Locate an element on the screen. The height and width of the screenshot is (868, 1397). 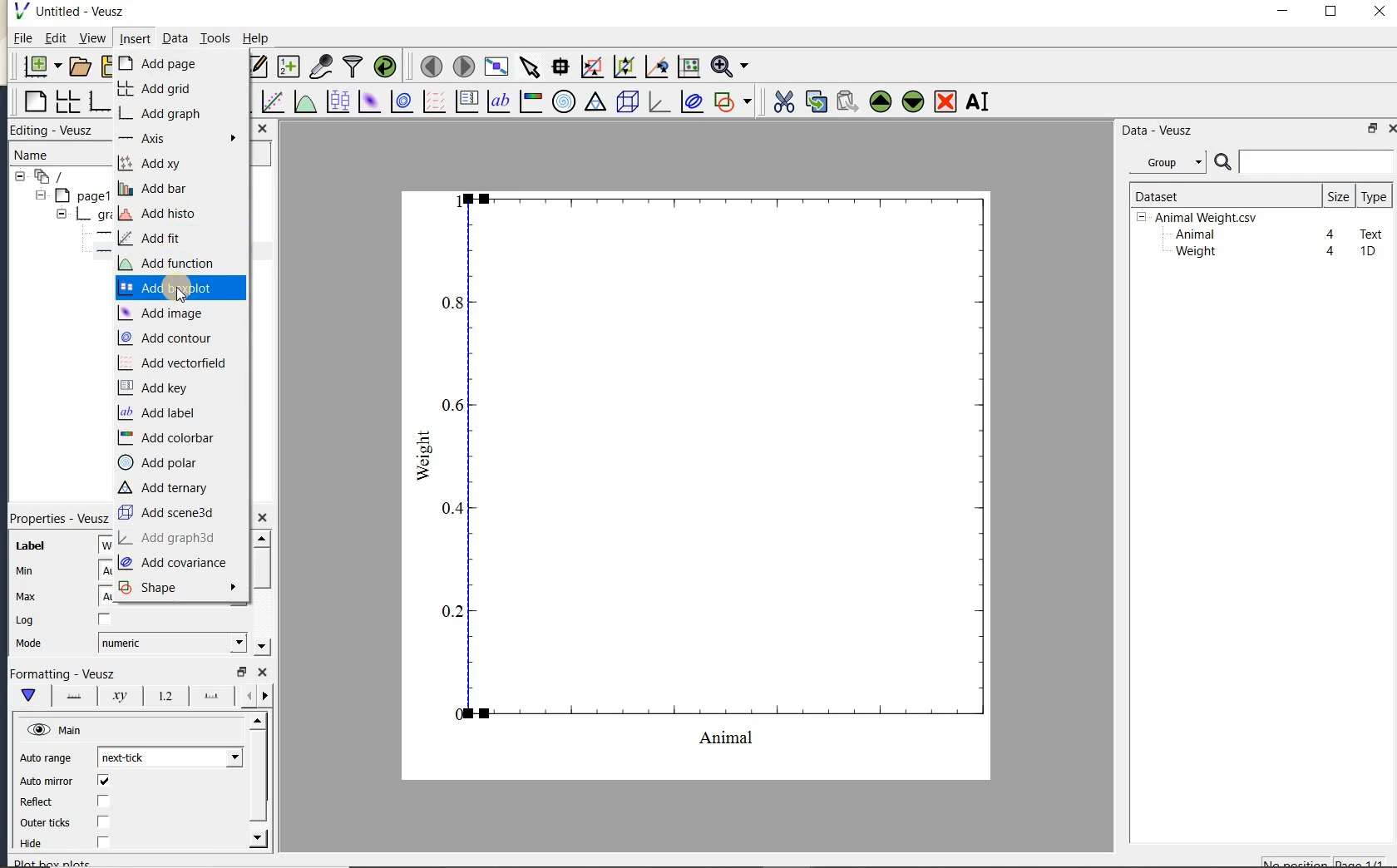
Properties - Veusz is located at coordinates (57, 518).